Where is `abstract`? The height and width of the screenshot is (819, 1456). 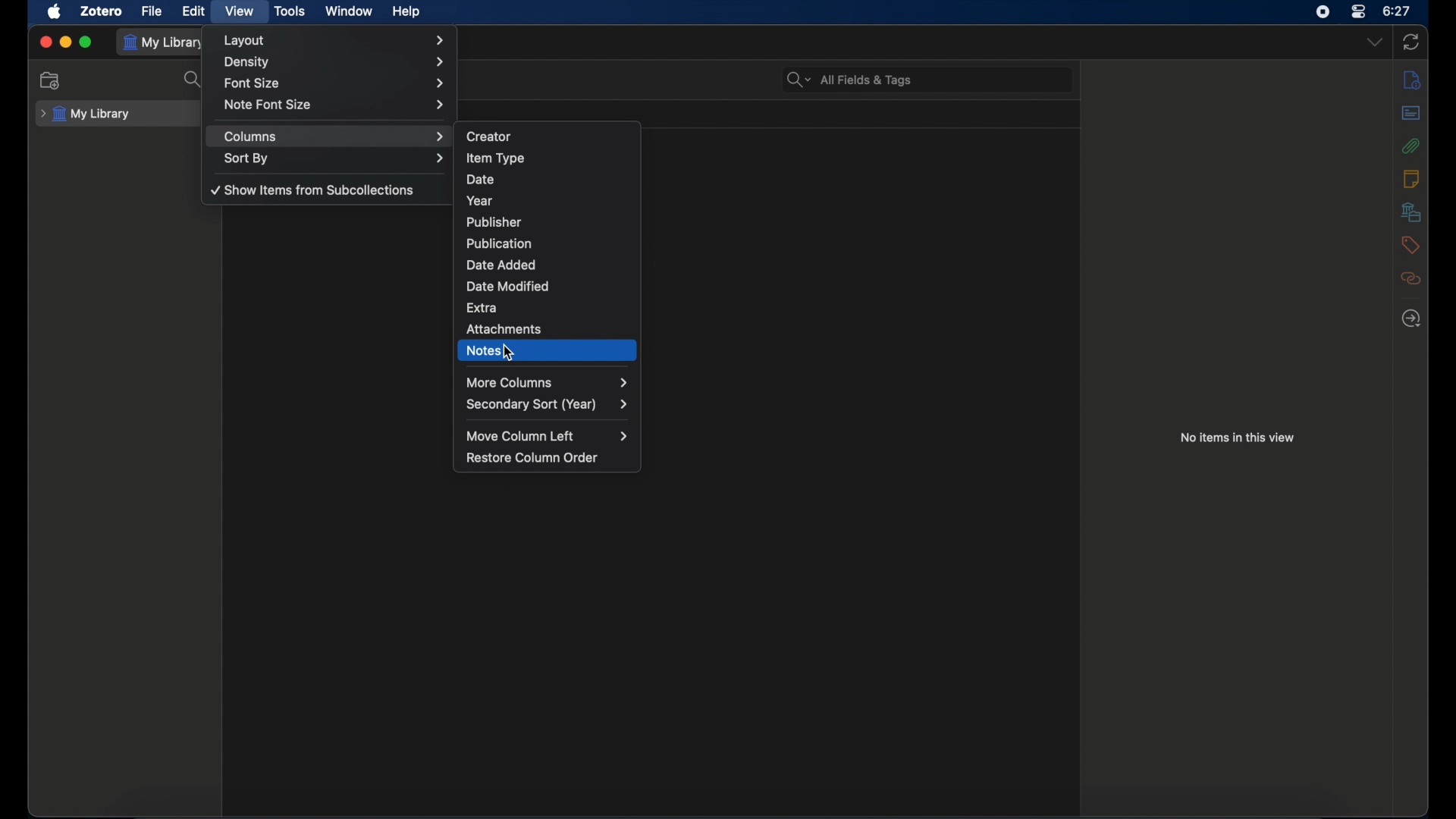
abstract is located at coordinates (1412, 112).